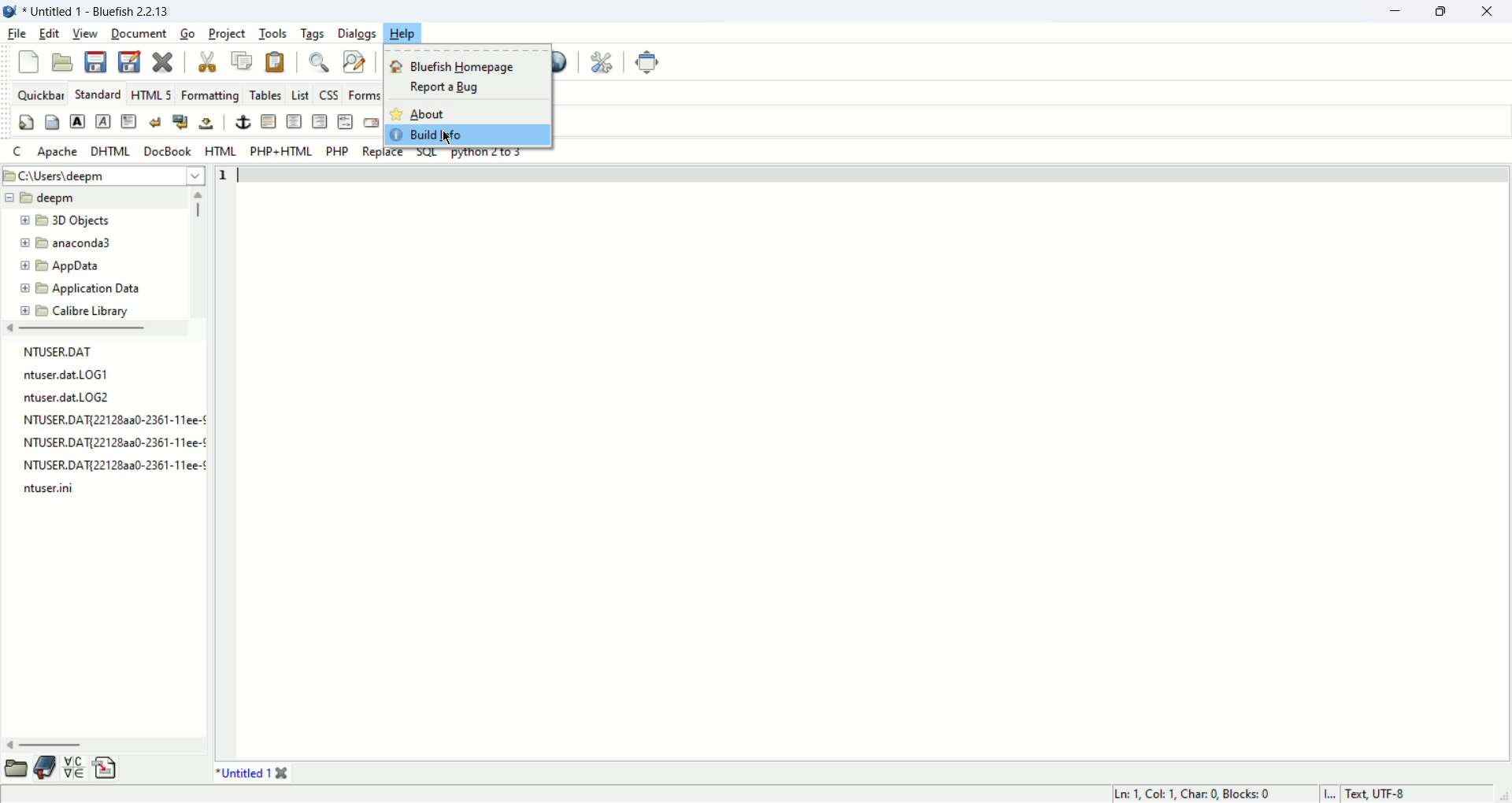 The height and width of the screenshot is (803, 1512). What do you see at coordinates (84, 35) in the screenshot?
I see `view` at bounding box center [84, 35].